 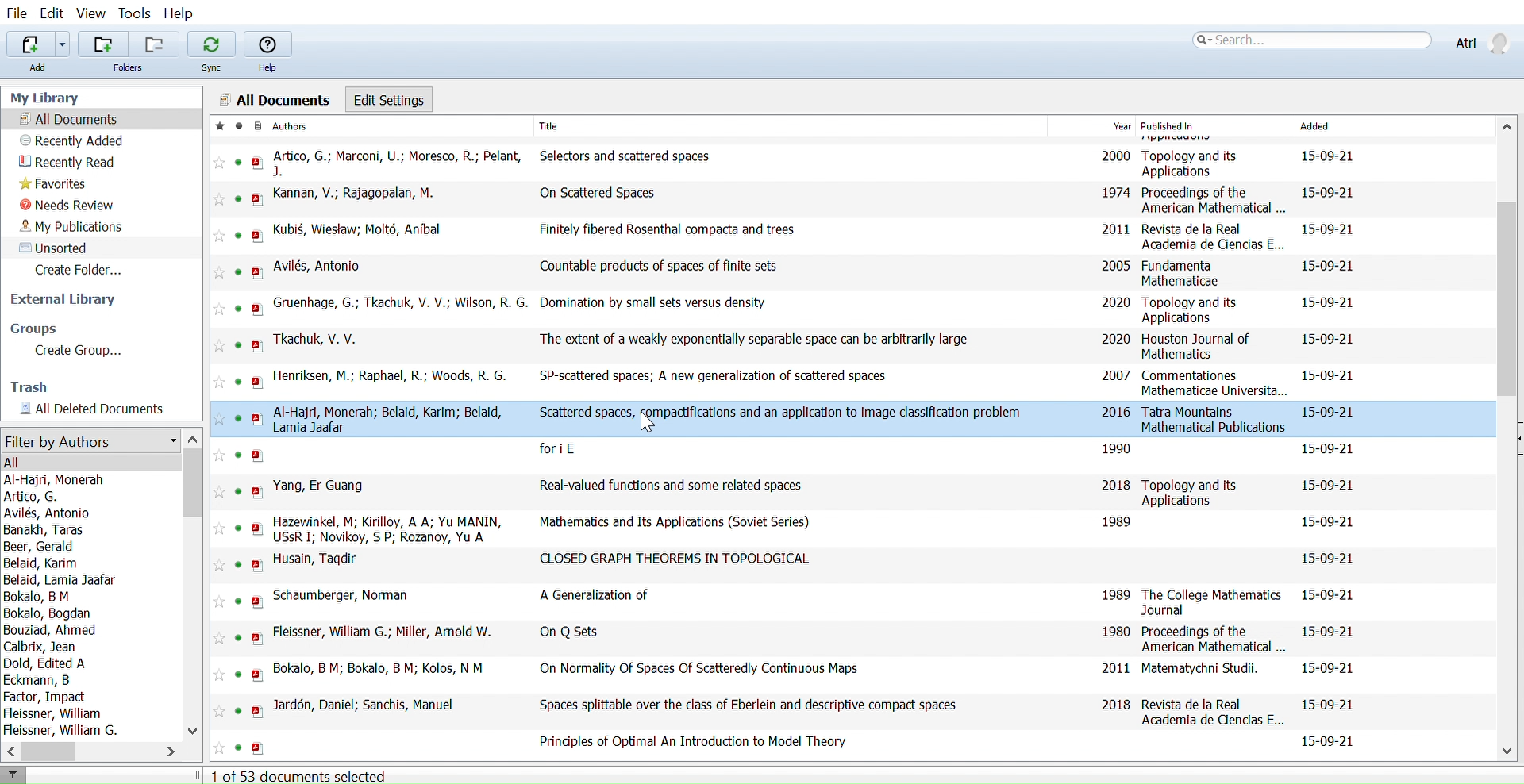 What do you see at coordinates (63, 44) in the screenshot?
I see `options for adding files` at bounding box center [63, 44].